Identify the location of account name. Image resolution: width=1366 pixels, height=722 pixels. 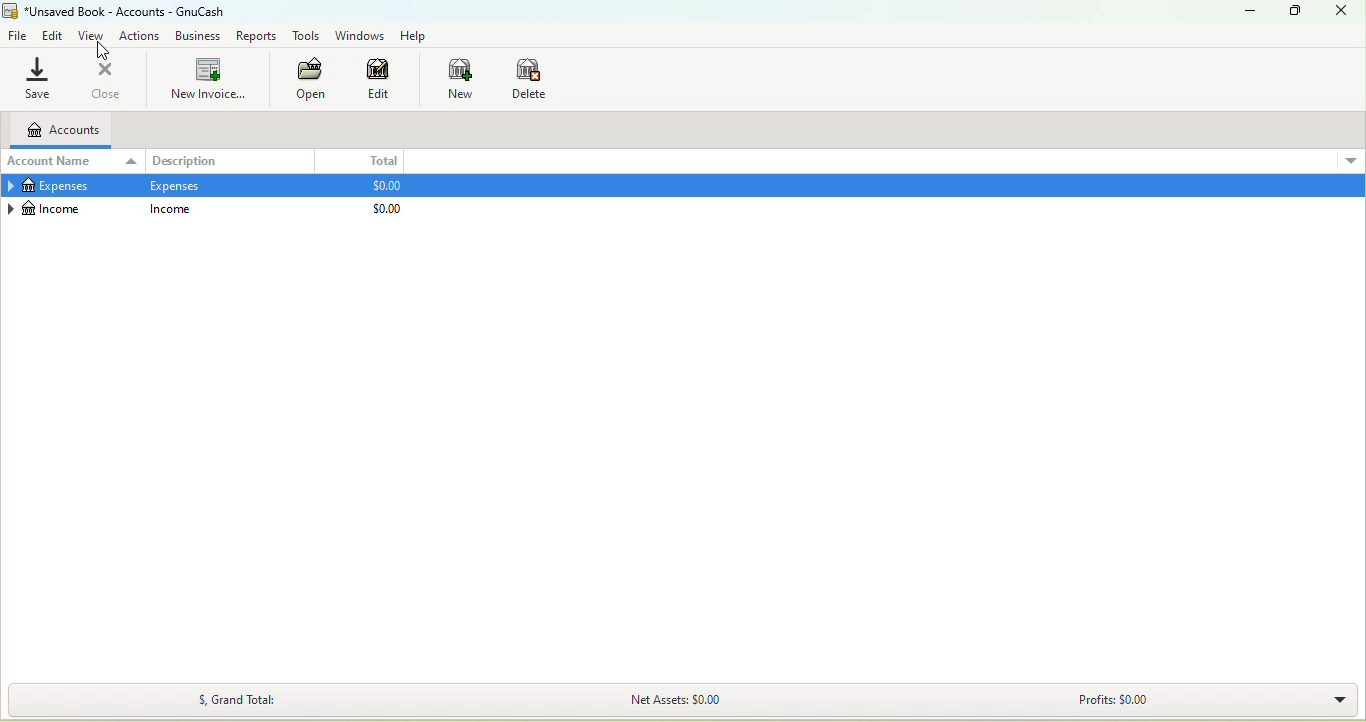
(73, 163).